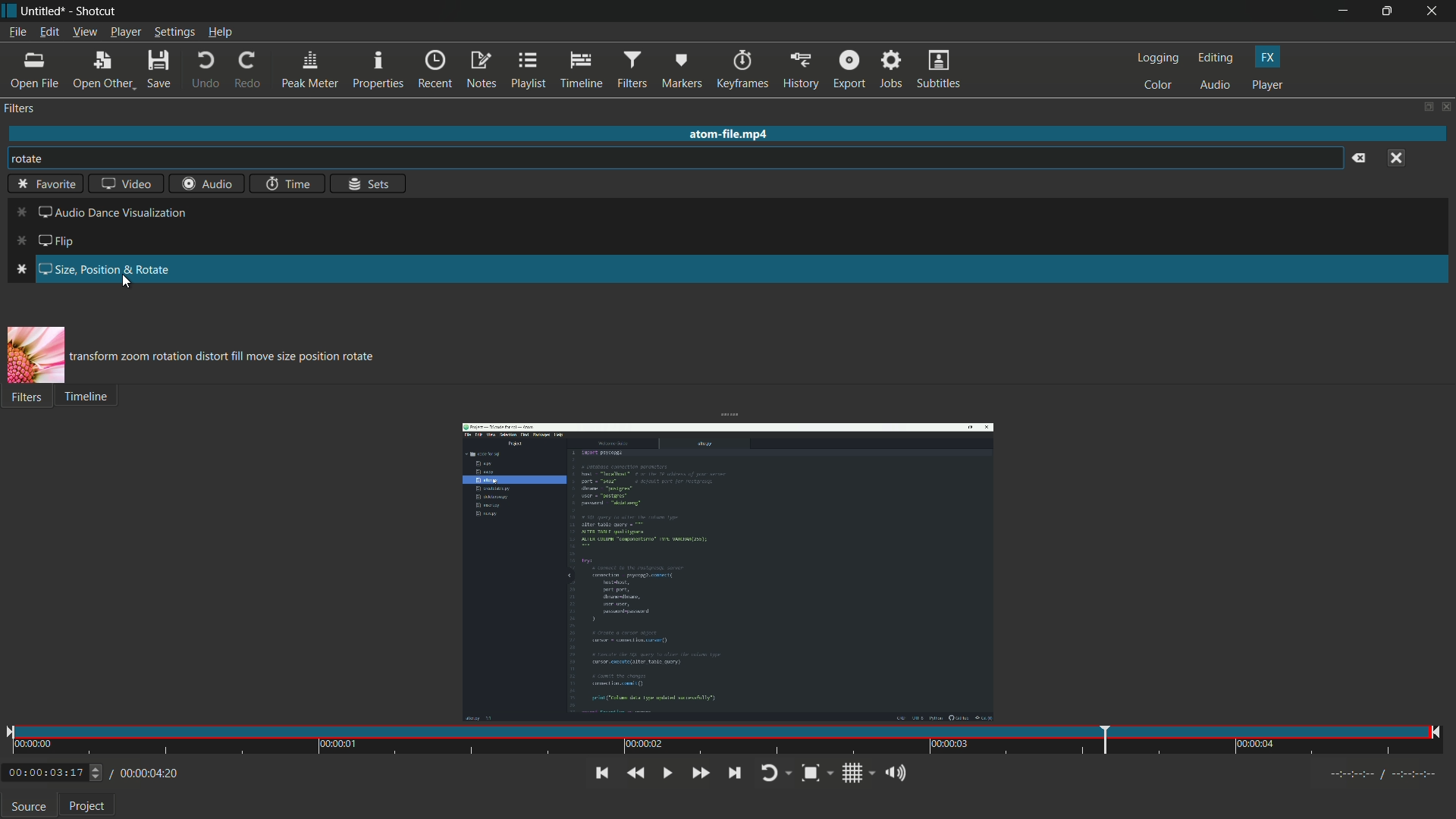 The width and height of the screenshot is (1456, 819). What do you see at coordinates (204, 183) in the screenshot?
I see `audio` at bounding box center [204, 183].